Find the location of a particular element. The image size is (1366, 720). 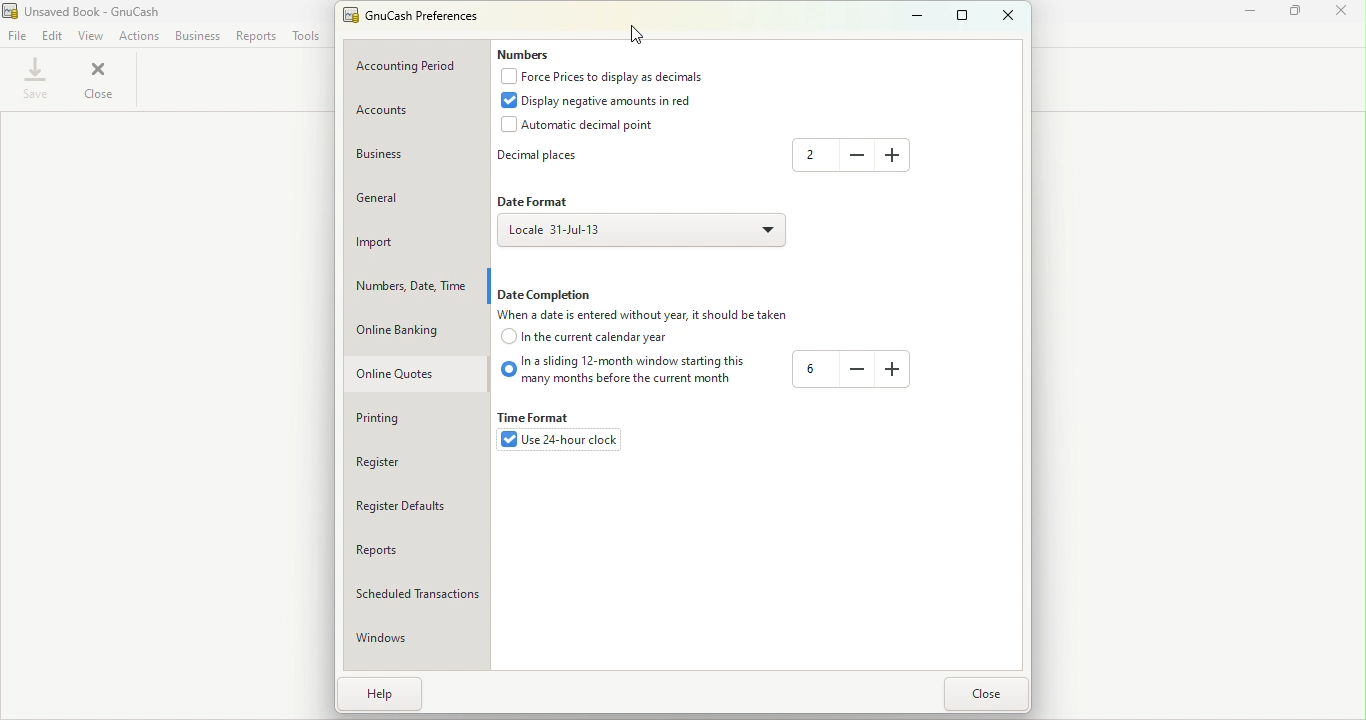

Automatic decimal point is located at coordinates (573, 121).